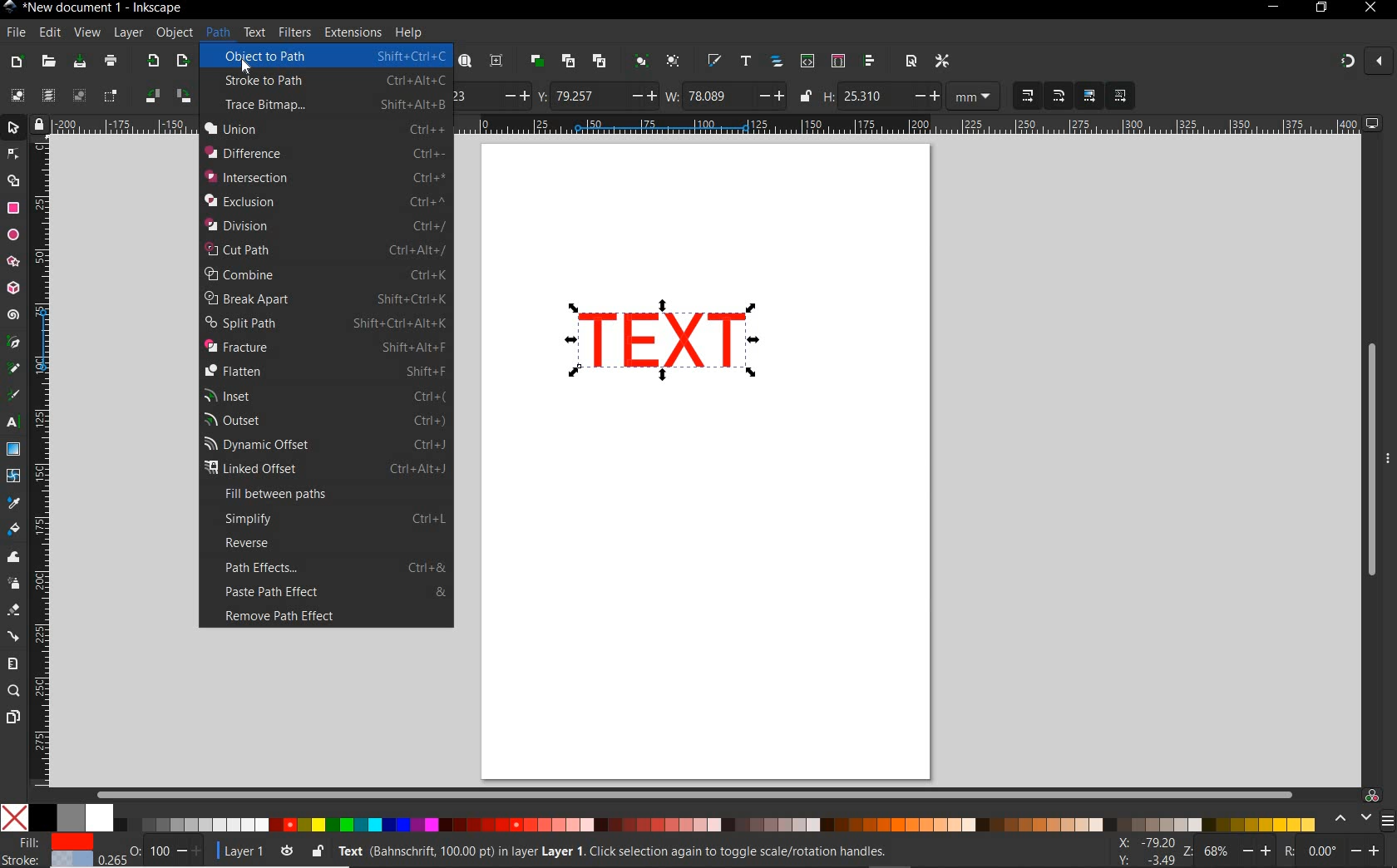 This screenshot has height=868, width=1397. I want to click on CONNECTOR TOOL, so click(14, 637).